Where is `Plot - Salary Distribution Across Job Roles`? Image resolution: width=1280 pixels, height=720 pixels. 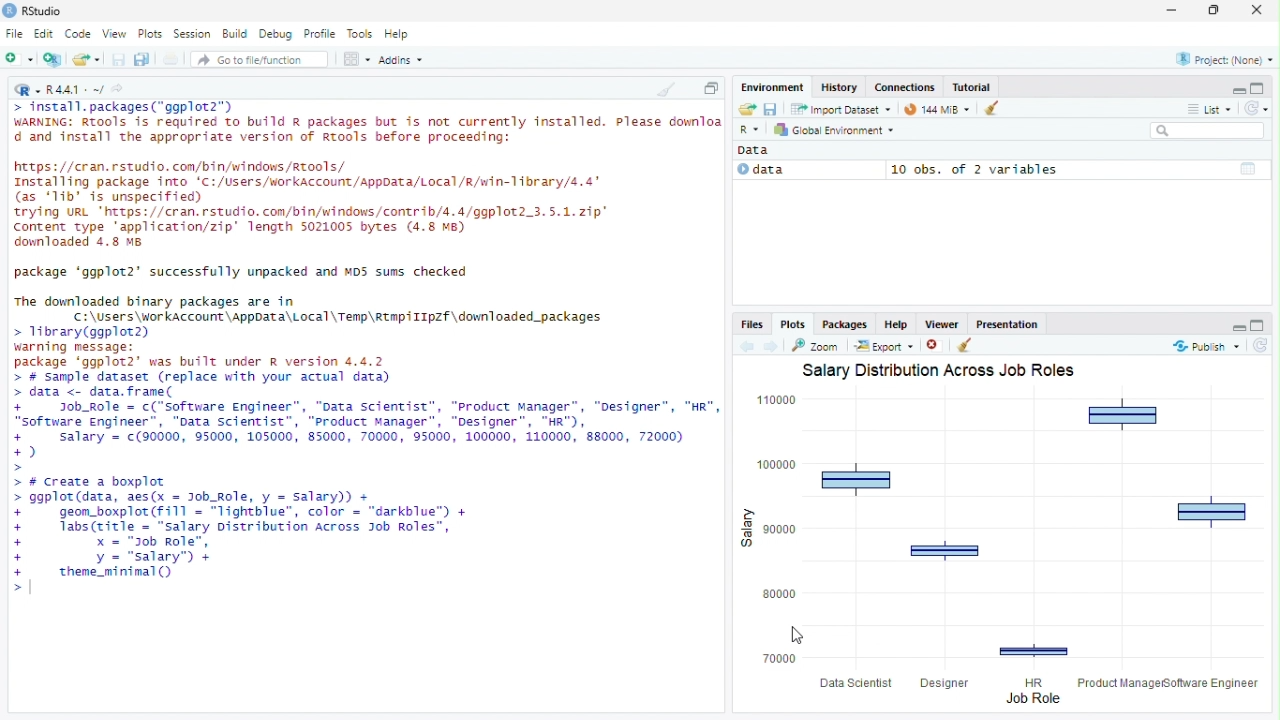 Plot - Salary Distribution Across Job Roles is located at coordinates (1008, 536).